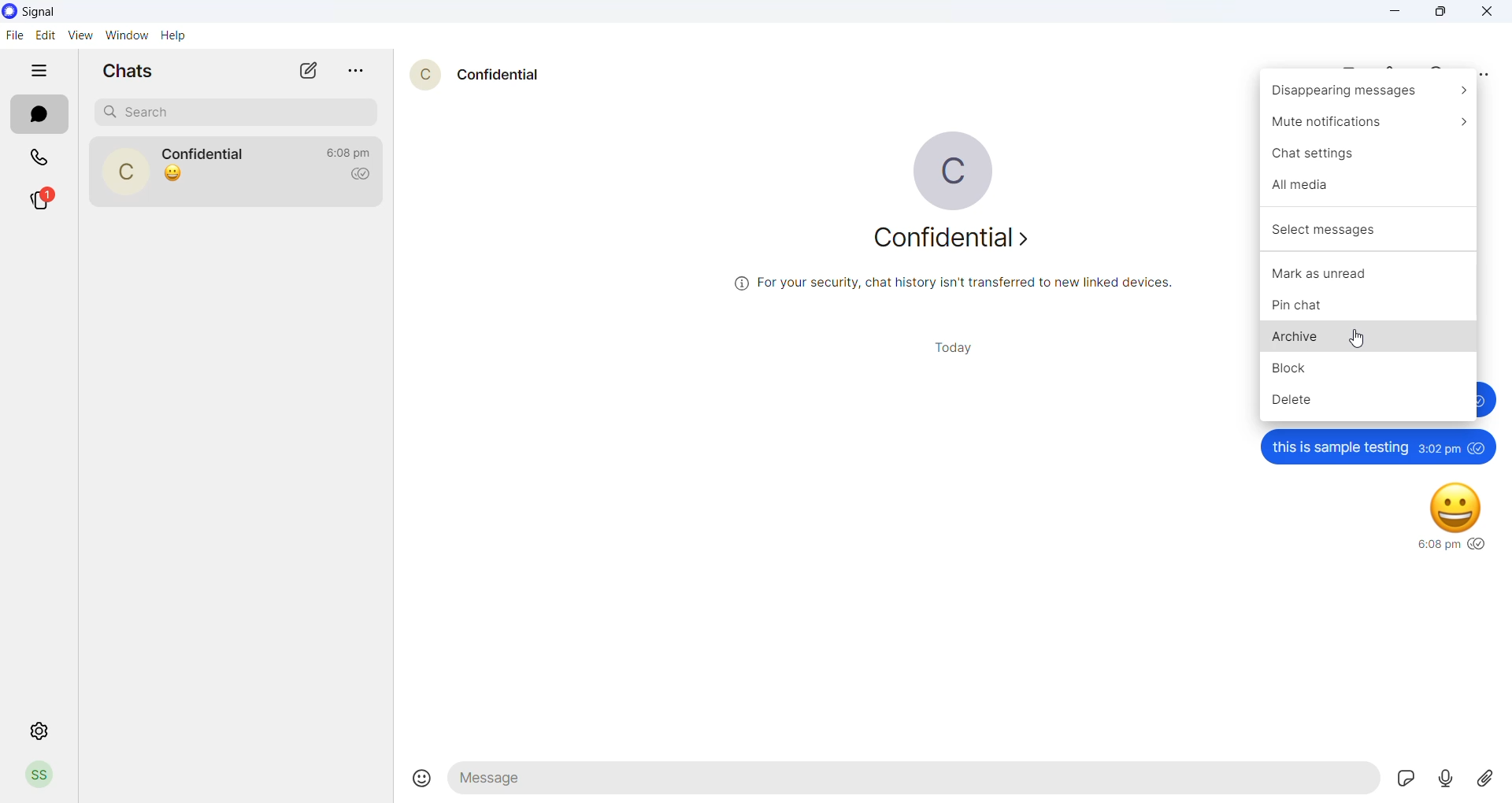 This screenshot has height=803, width=1512. I want to click on pin chat, so click(1371, 304).